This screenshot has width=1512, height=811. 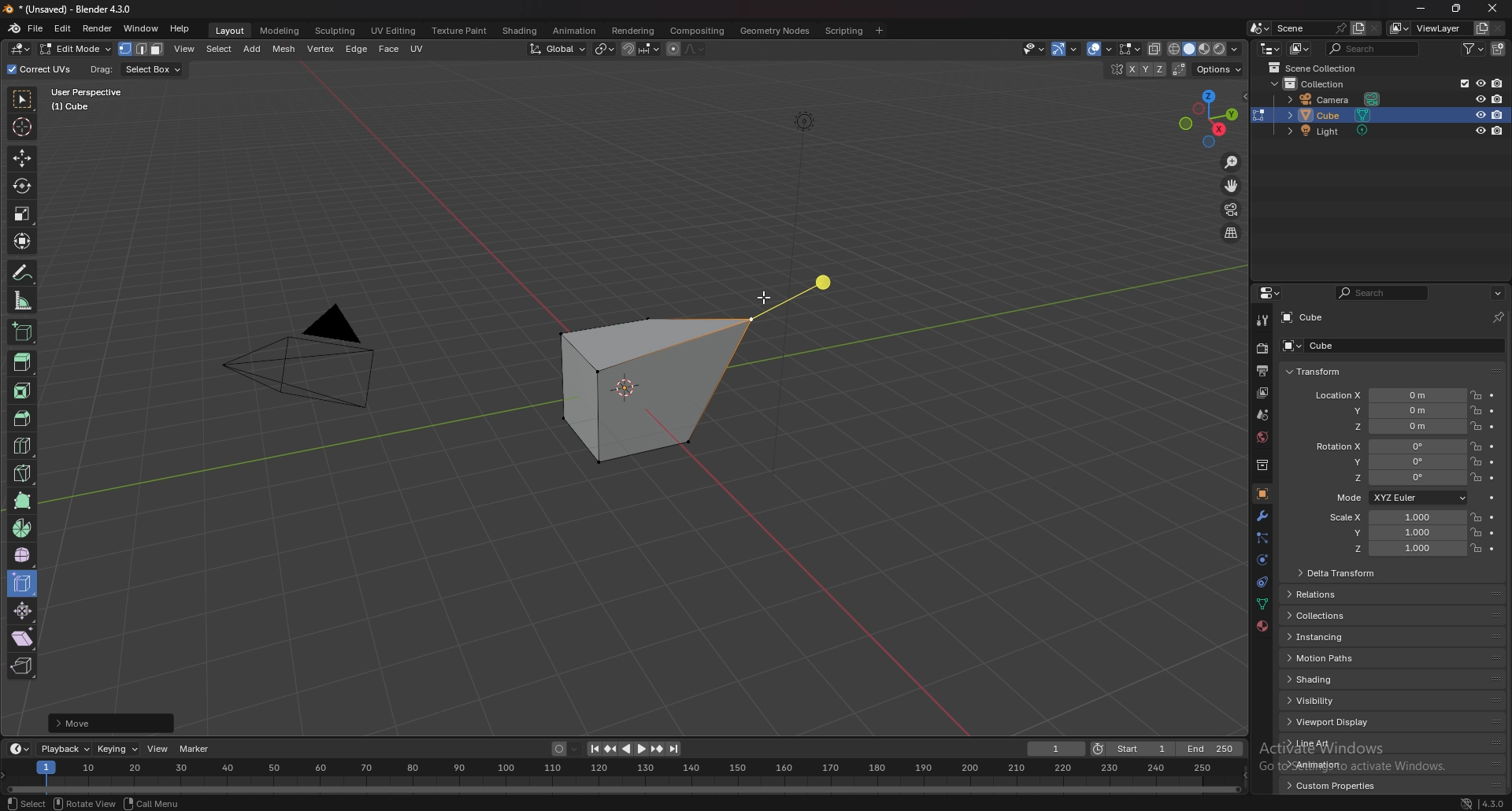 I want to click on mode, so click(x=1399, y=498).